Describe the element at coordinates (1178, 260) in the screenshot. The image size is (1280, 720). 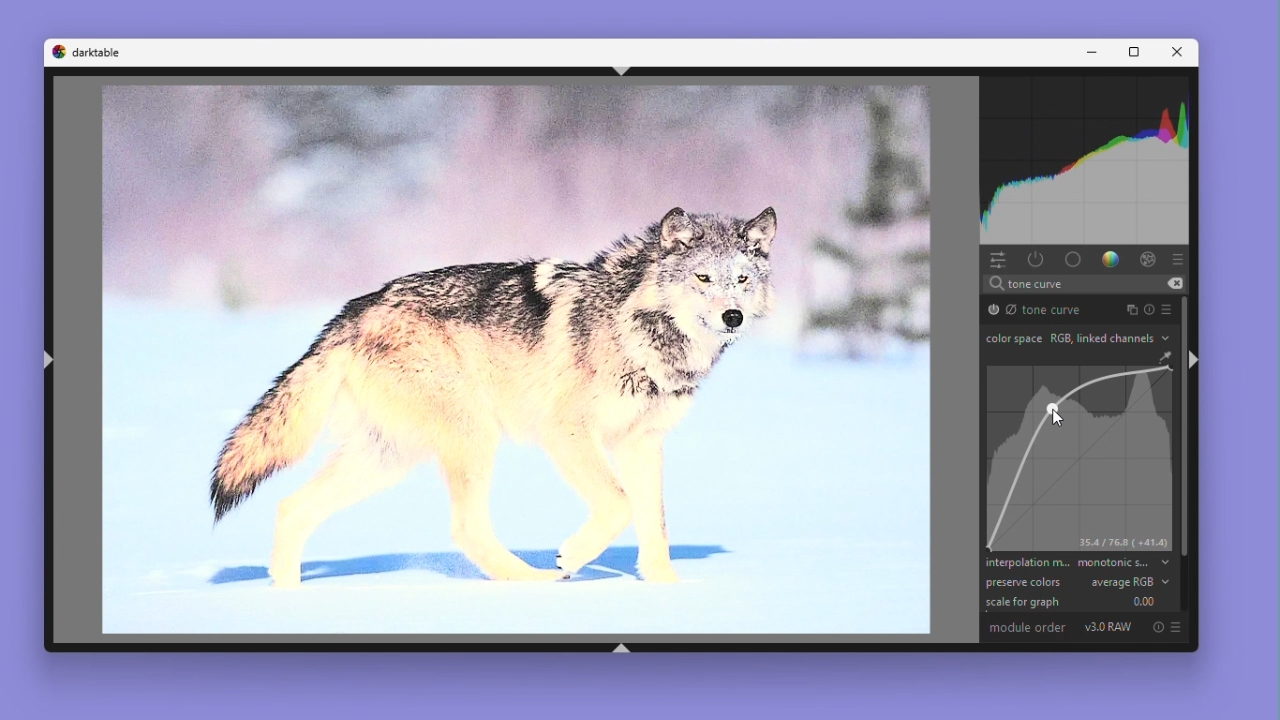
I see `Preset` at that location.